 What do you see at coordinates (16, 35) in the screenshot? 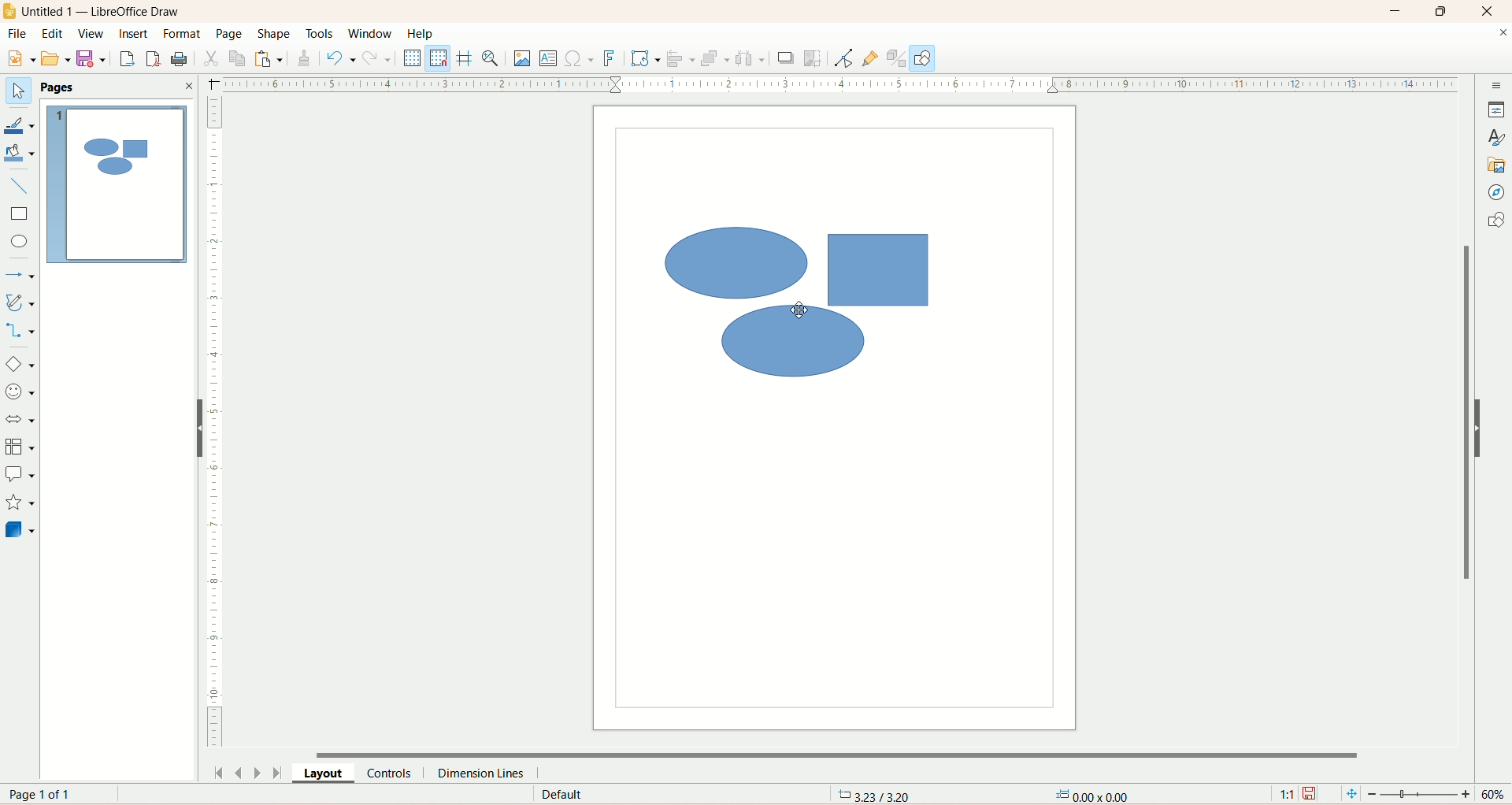
I see `file` at bounding box center [16, 35].